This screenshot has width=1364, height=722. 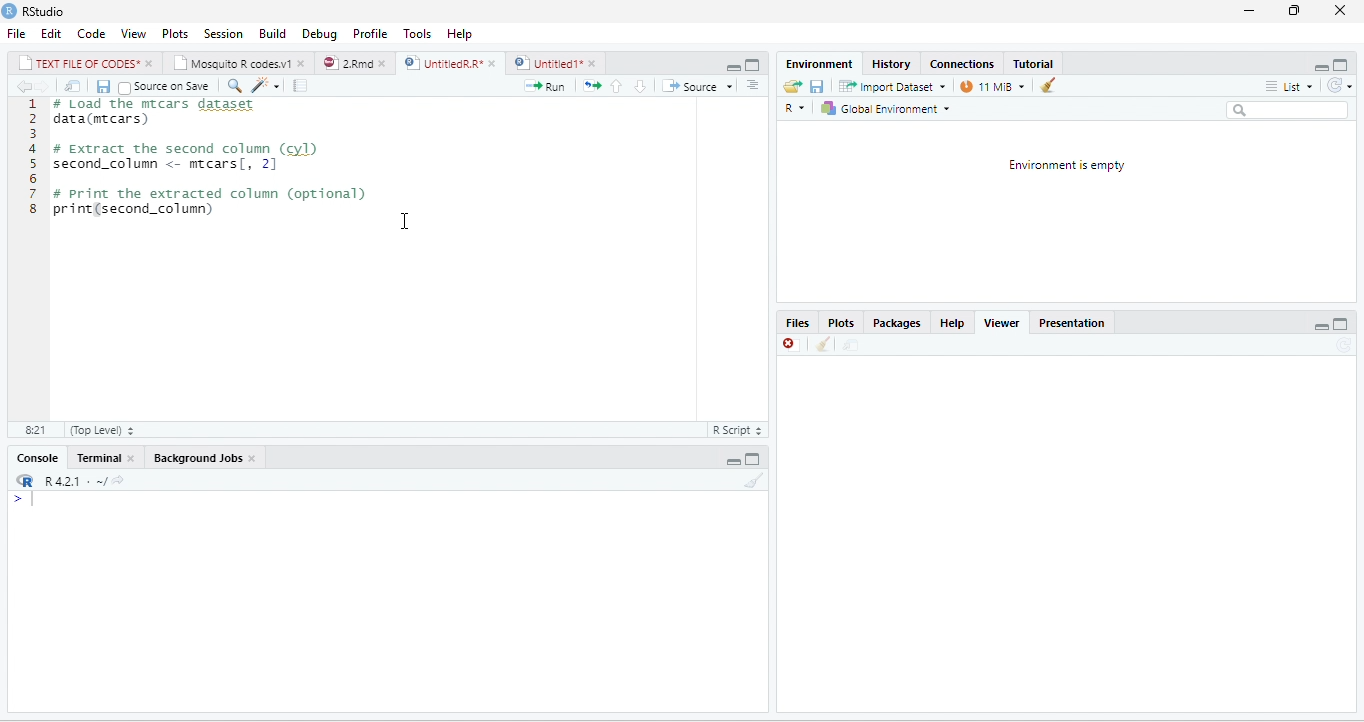 What do you see at coordinates (730, 87) in the screenshot?
I see `drop down` at bounding box center [730, 87].